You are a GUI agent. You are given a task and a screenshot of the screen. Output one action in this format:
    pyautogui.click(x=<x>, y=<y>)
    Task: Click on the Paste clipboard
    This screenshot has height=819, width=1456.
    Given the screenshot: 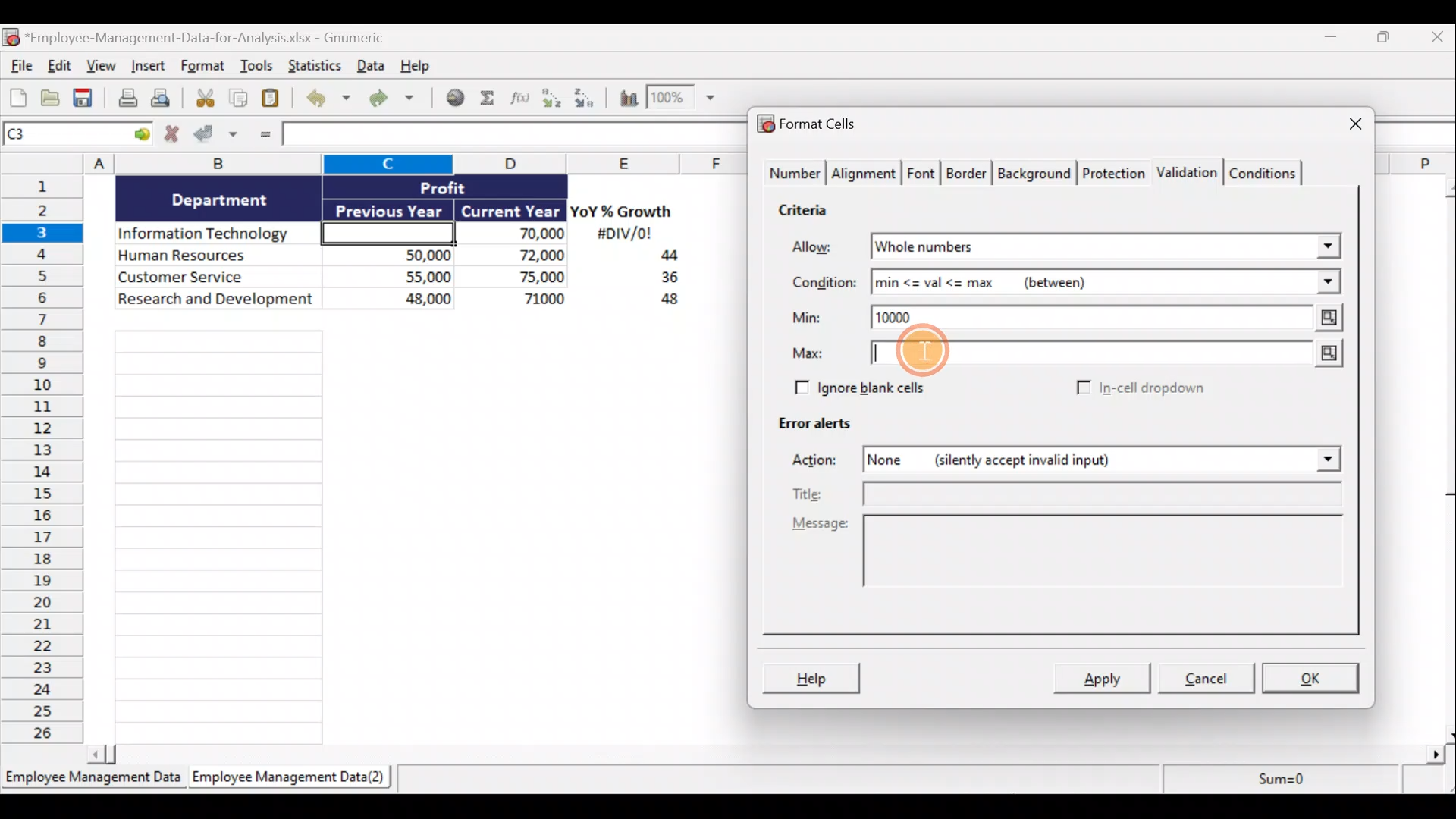 What is the action you would take?
    pyautogui.click(x=275, y=99)
    